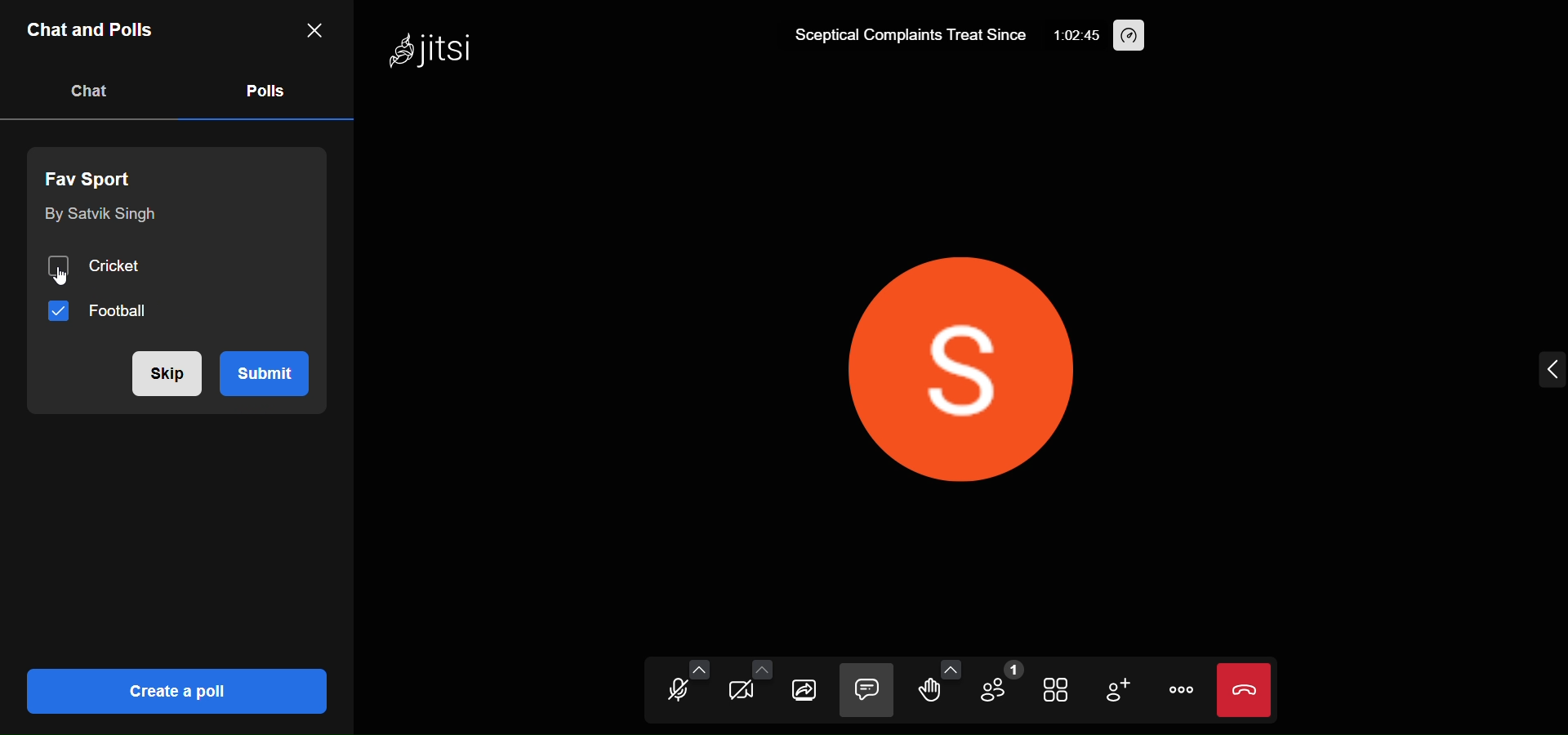  I want to click on raise hand, so click(926, 693).